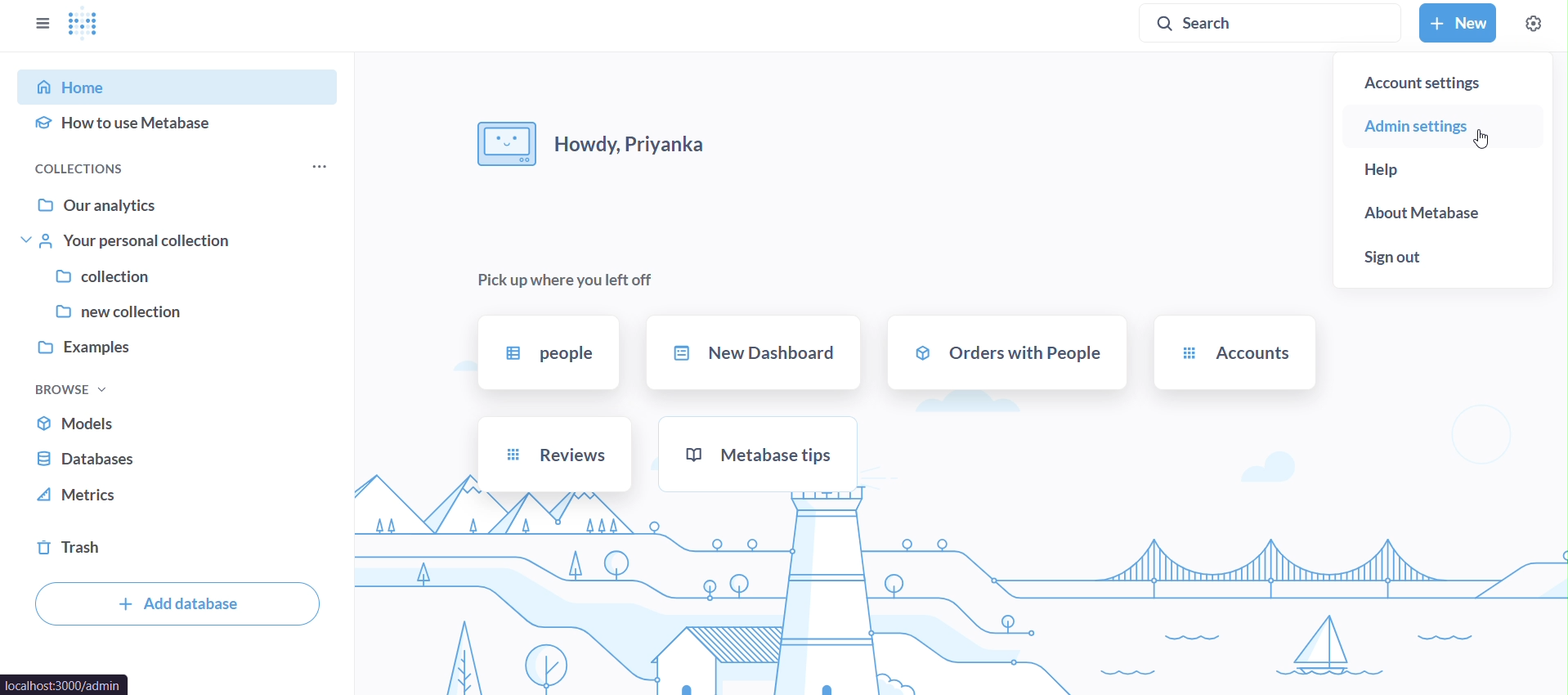 The width and height of the screenshot is (1568, 695). I want to click on account settings, so click(1441, 84).